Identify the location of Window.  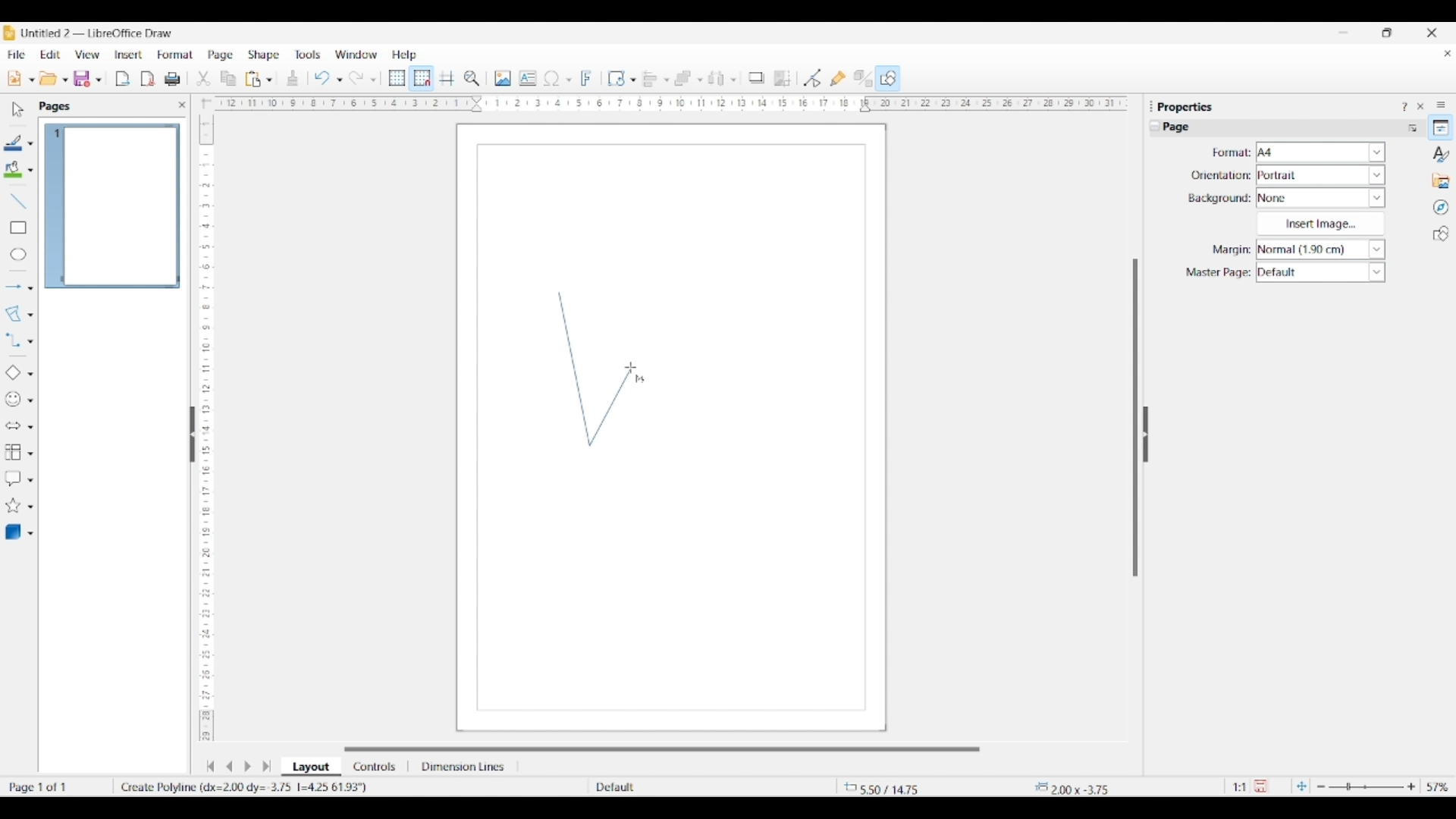
(356, 55).